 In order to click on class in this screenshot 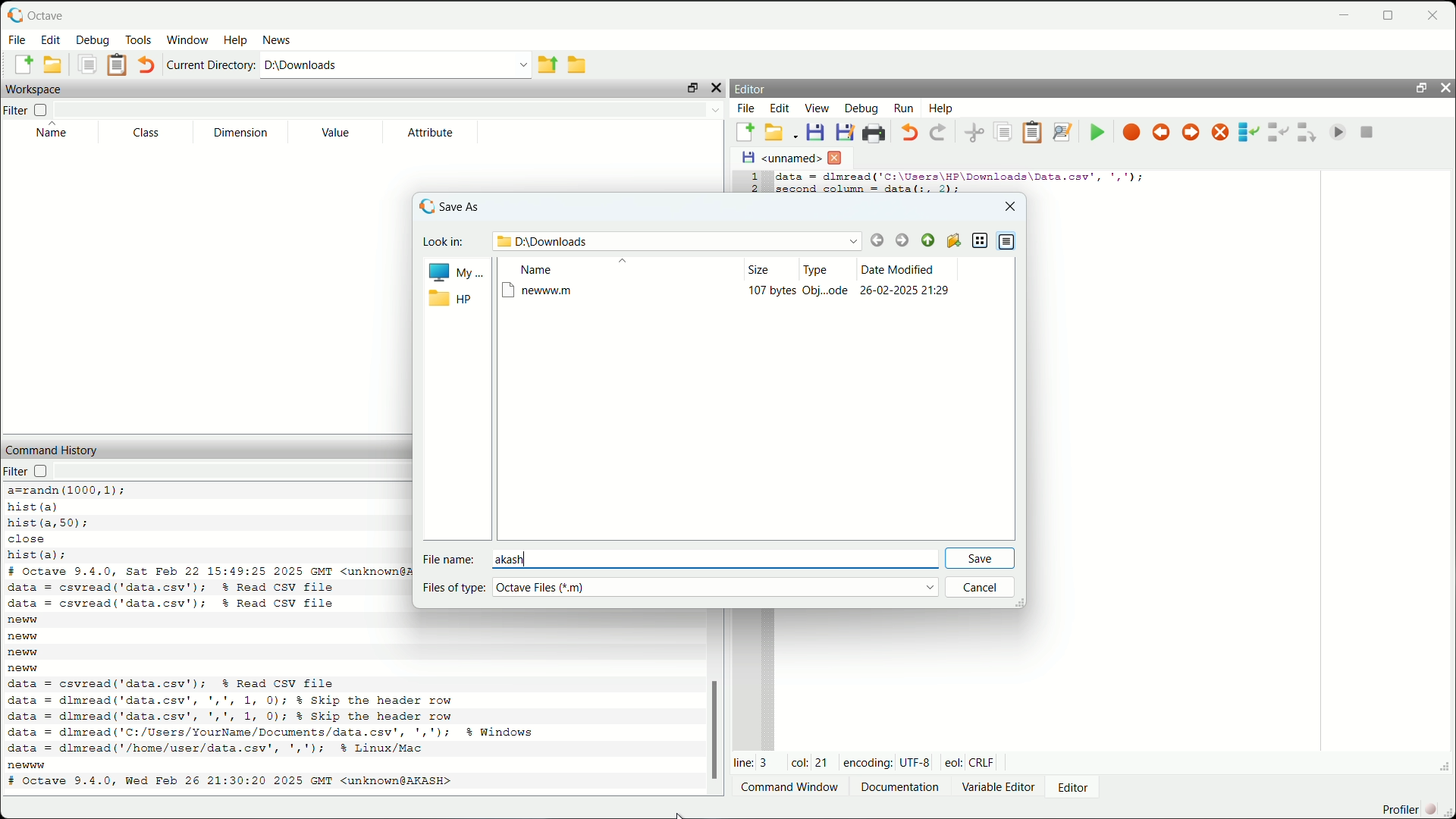, I will do `click(145, 134)`.